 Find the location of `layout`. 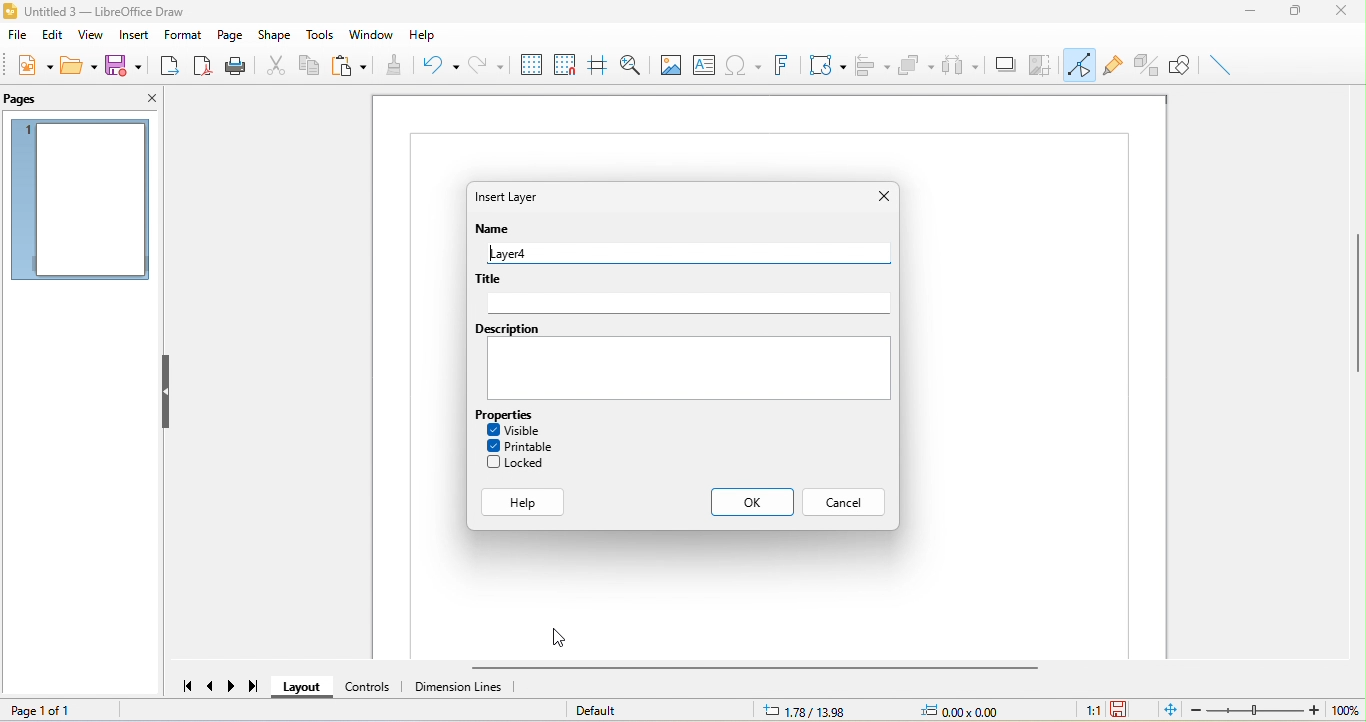

layout is located at coordinates (302, 688).